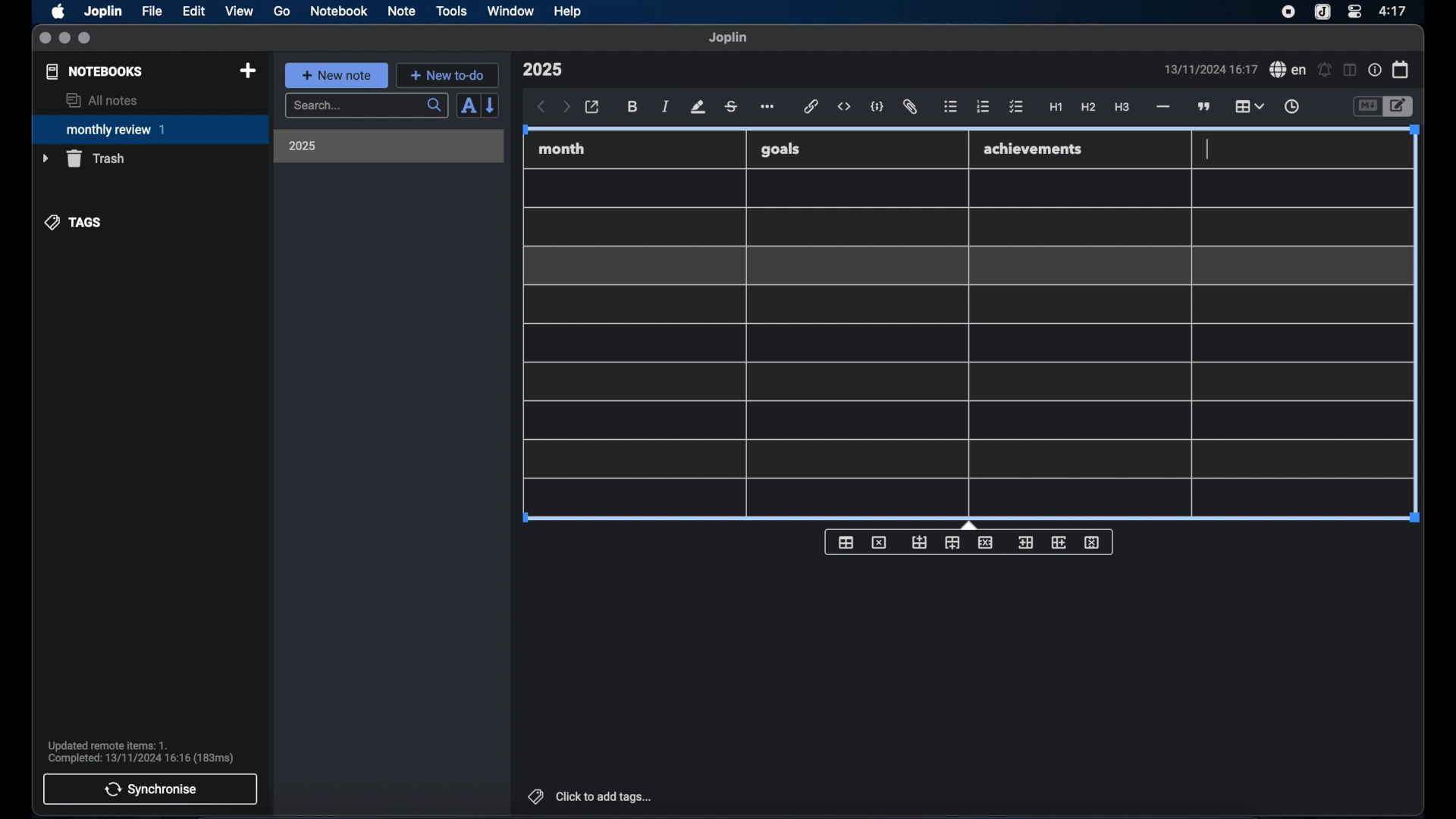  I want to click on joplin icon, so click(1321, 13).